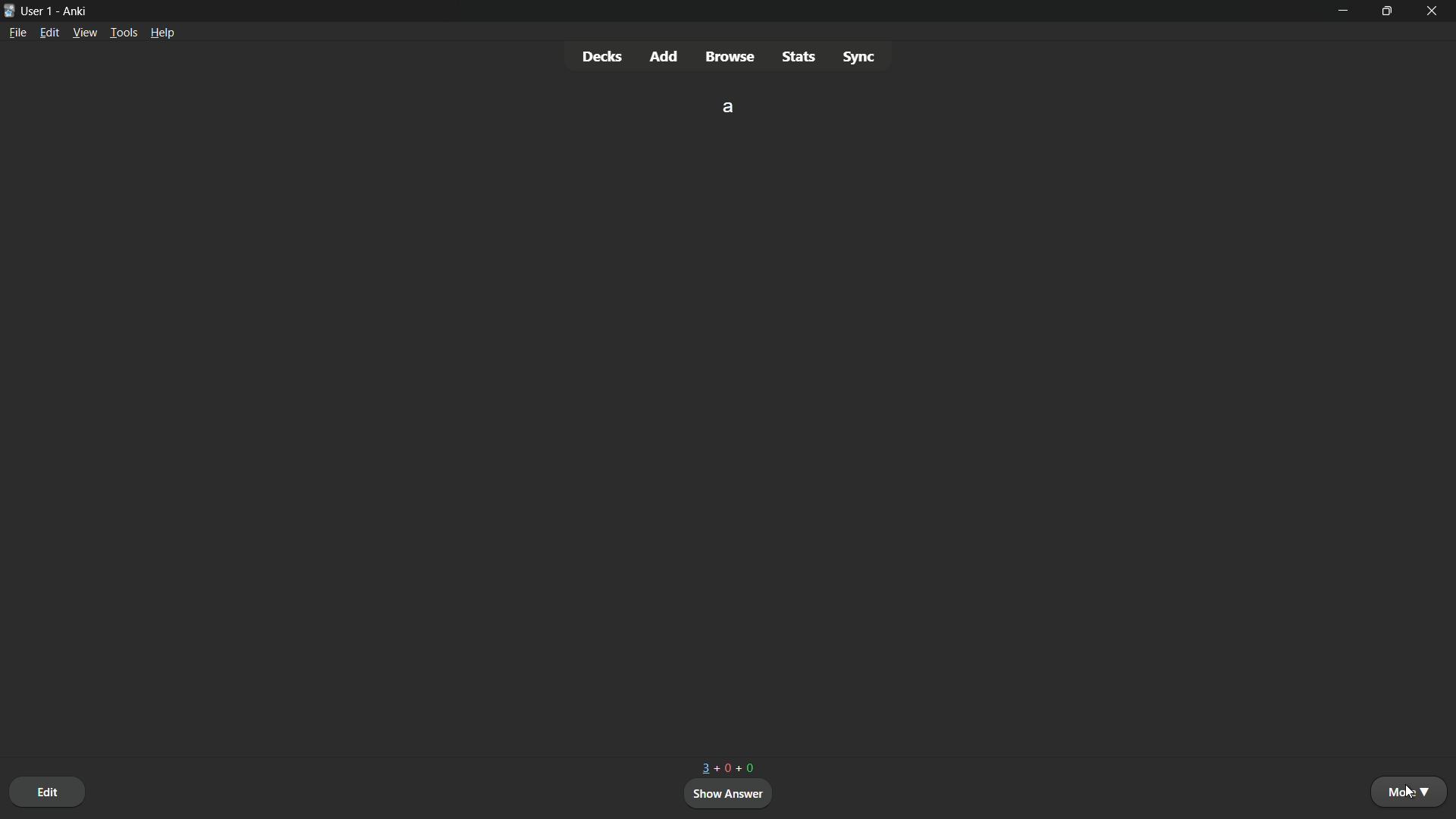  Describe the element at coordinates (124, 33) in the screenshot. I see `tools menu` at that location.